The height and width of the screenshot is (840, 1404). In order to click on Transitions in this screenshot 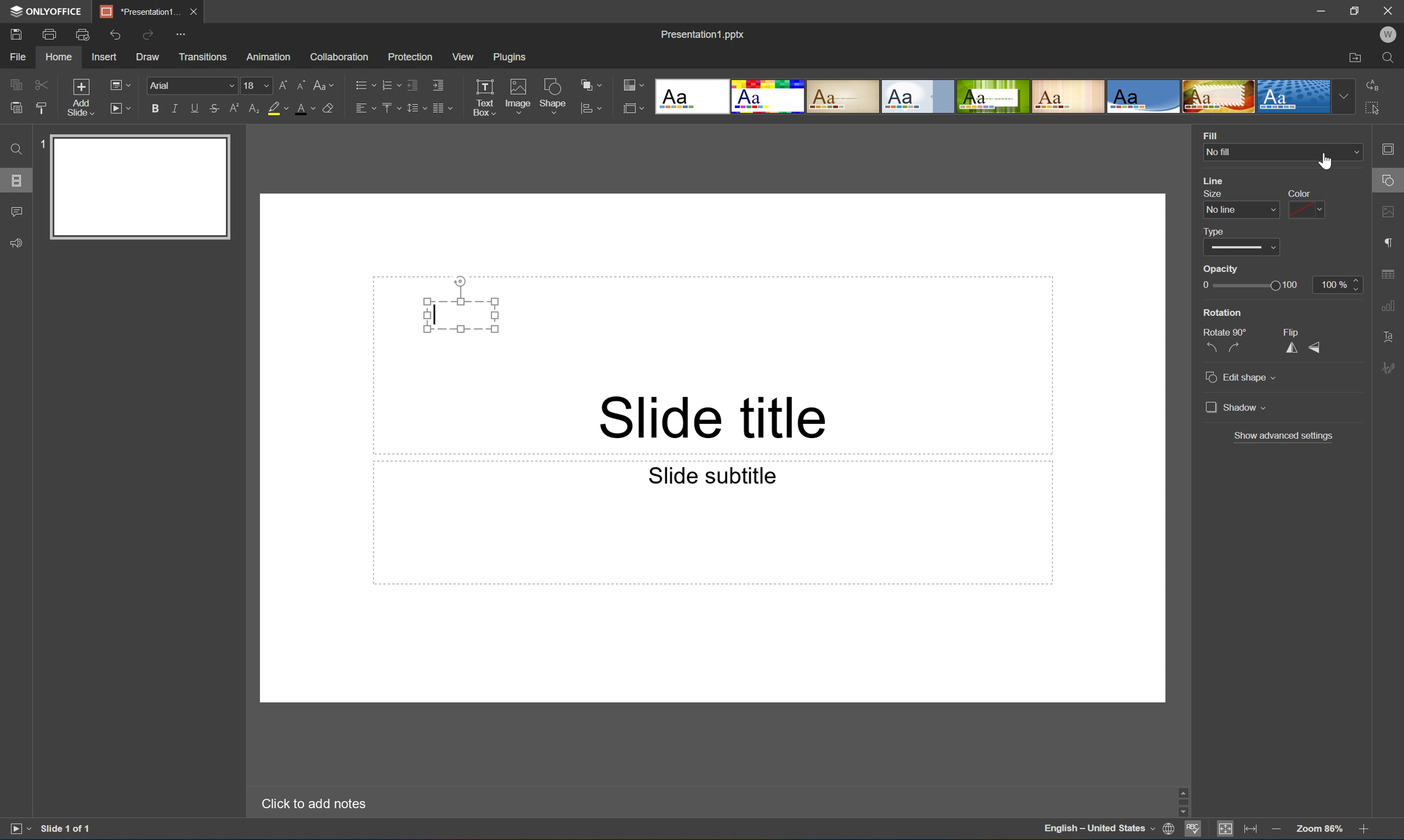, I will do `click(202, 56)`.